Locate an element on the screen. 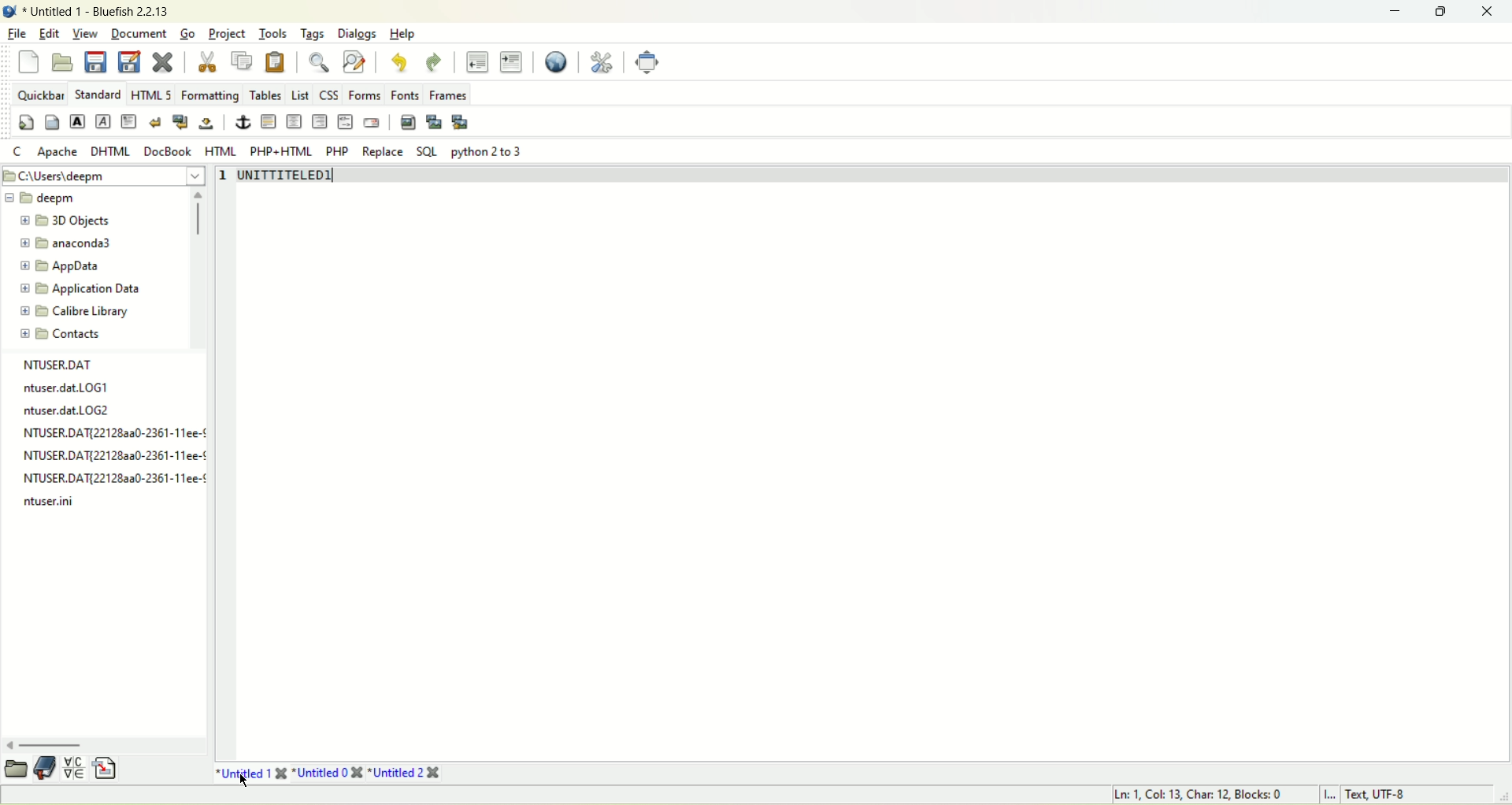 The image size is (1512, 805). title0 is located at coordinates (333, 773).